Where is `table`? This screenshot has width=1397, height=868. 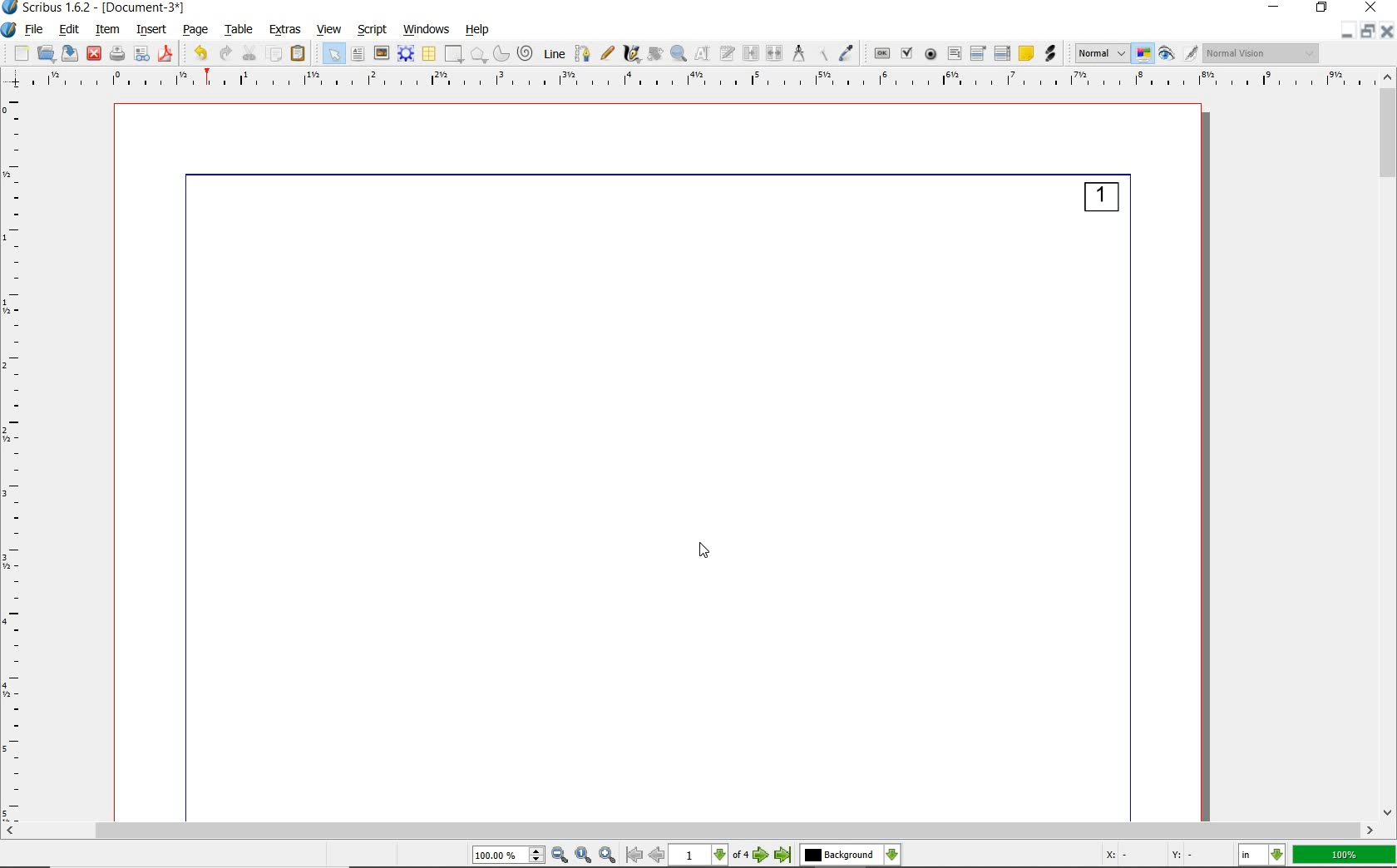
table is located at coordinates (428, 53).